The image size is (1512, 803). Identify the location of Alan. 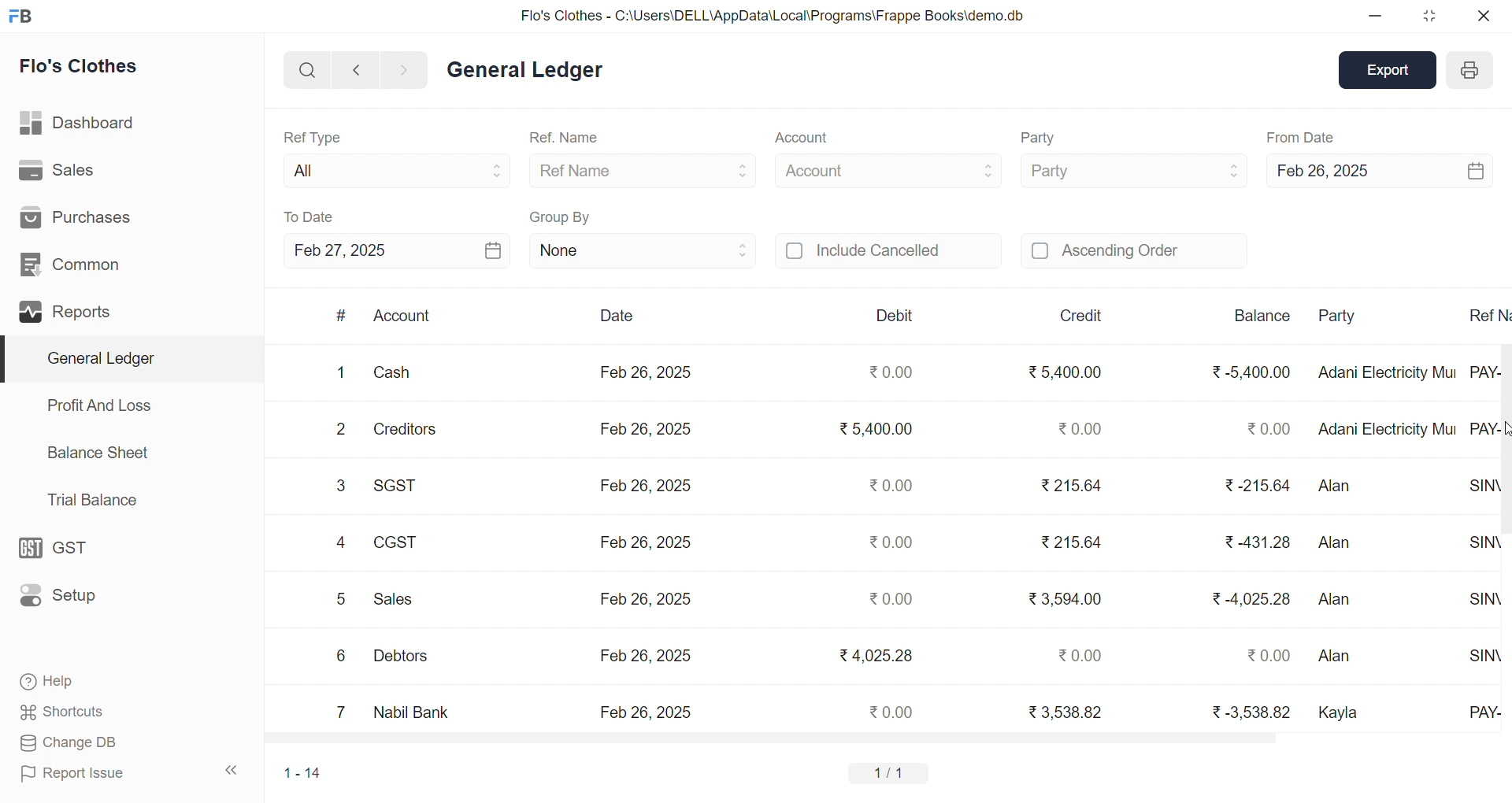
(1346, 658).